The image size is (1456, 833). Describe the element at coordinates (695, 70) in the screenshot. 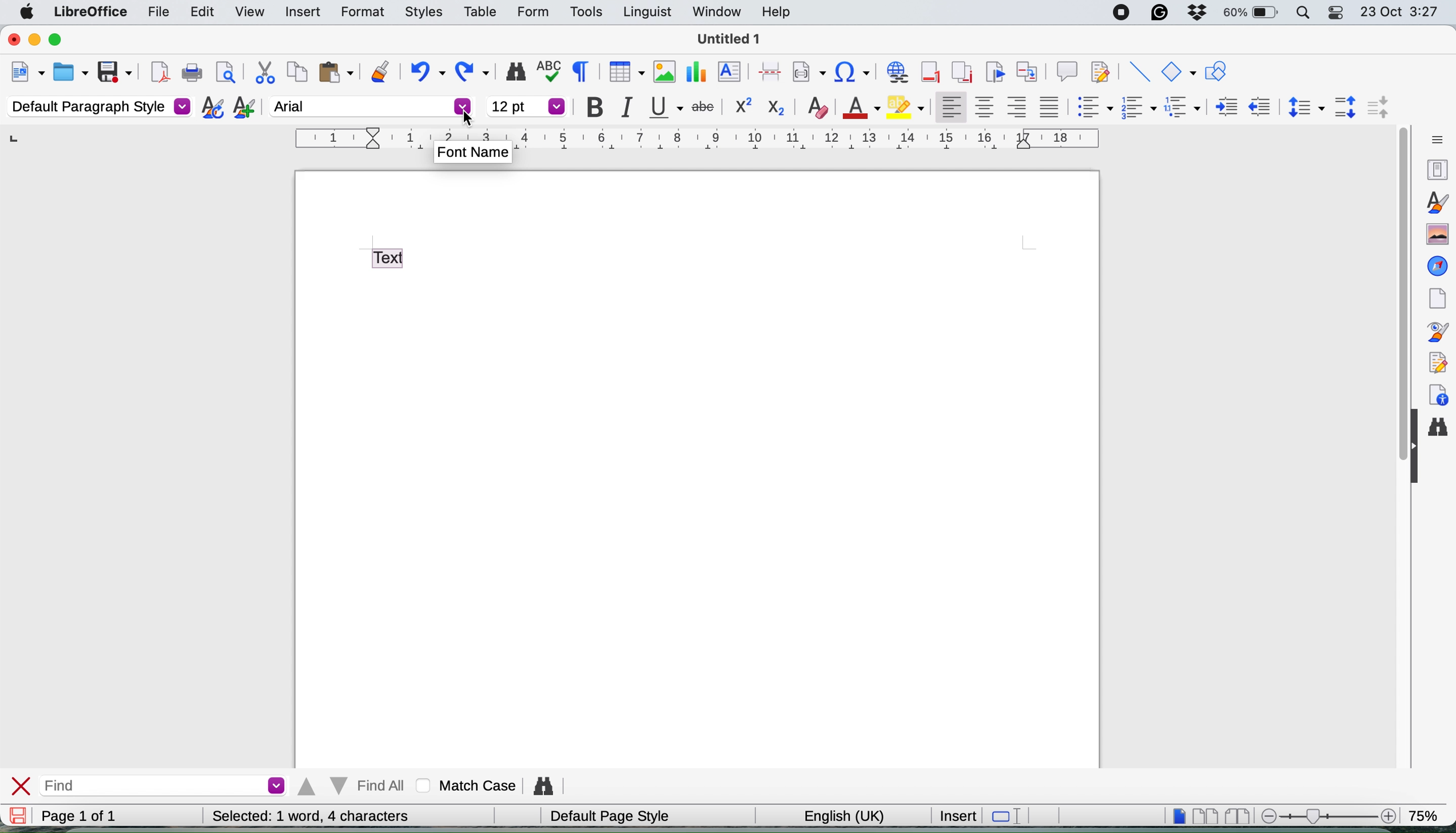

I see `insert chart` at that location.